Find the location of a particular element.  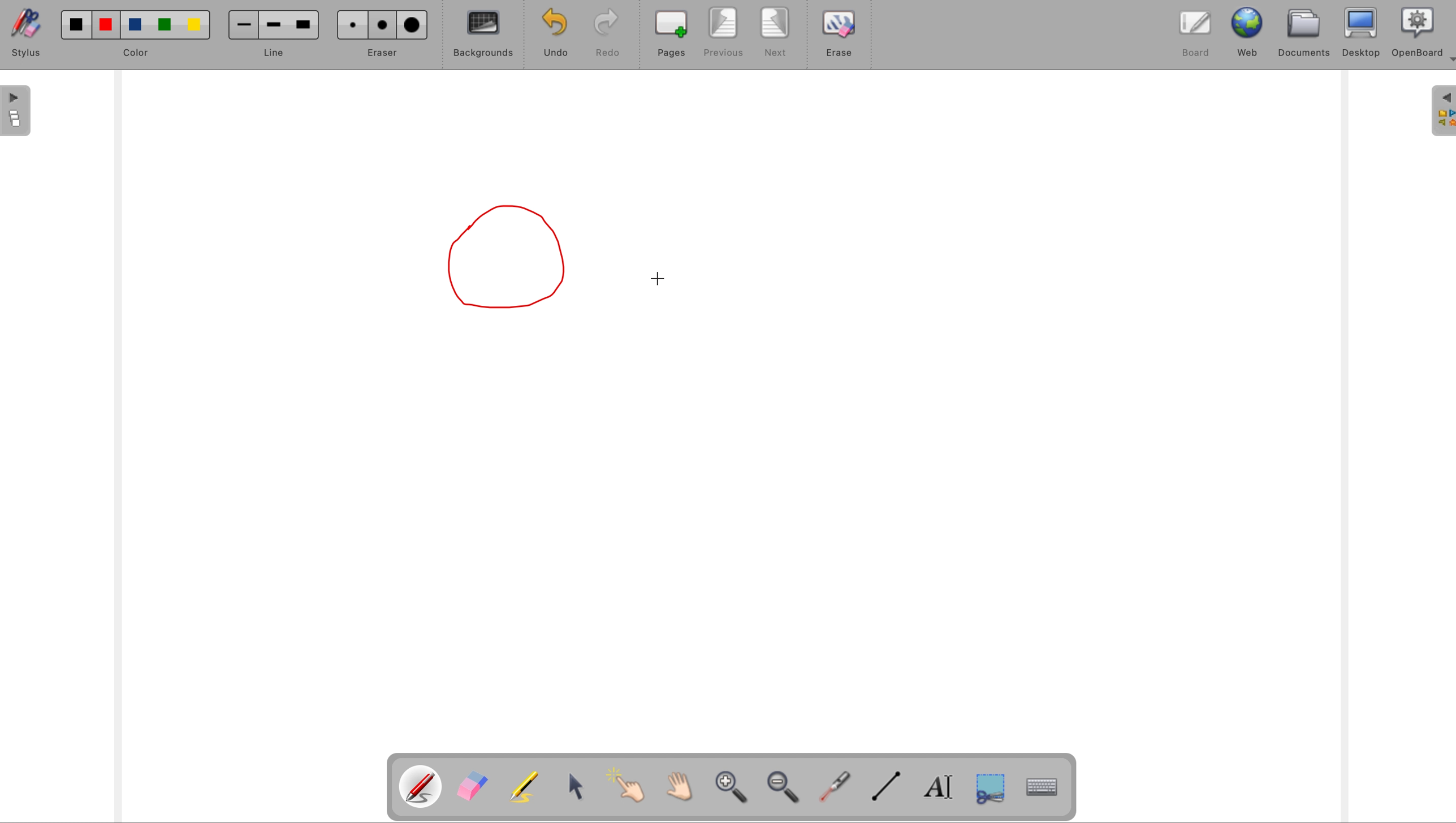

zoom in is located at coordinates (731, 790).